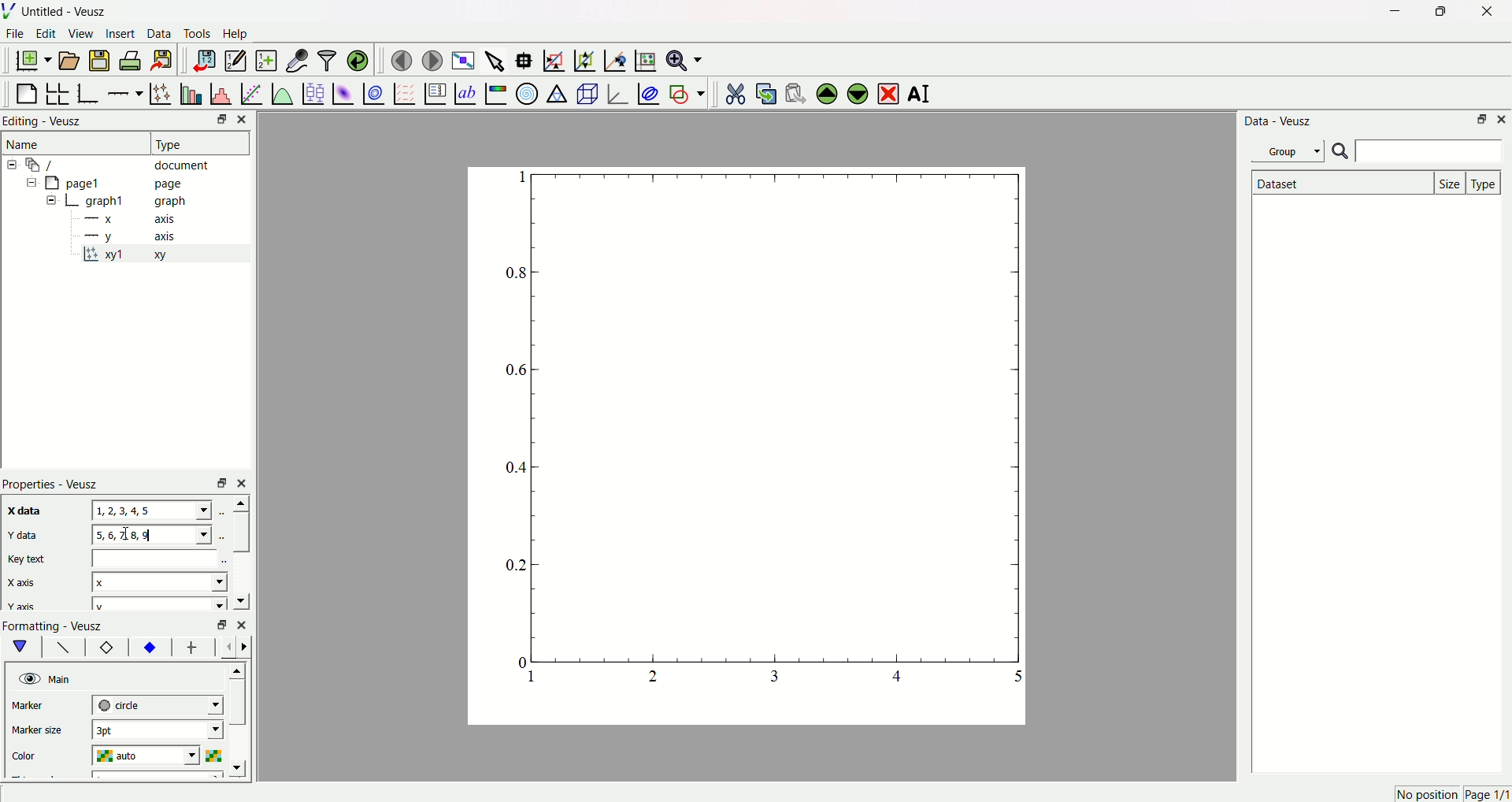 The image size is (1512, 802). Describe the element at coordinates (402, 93) in the screenshot. I see `plot a vector field` at that location.